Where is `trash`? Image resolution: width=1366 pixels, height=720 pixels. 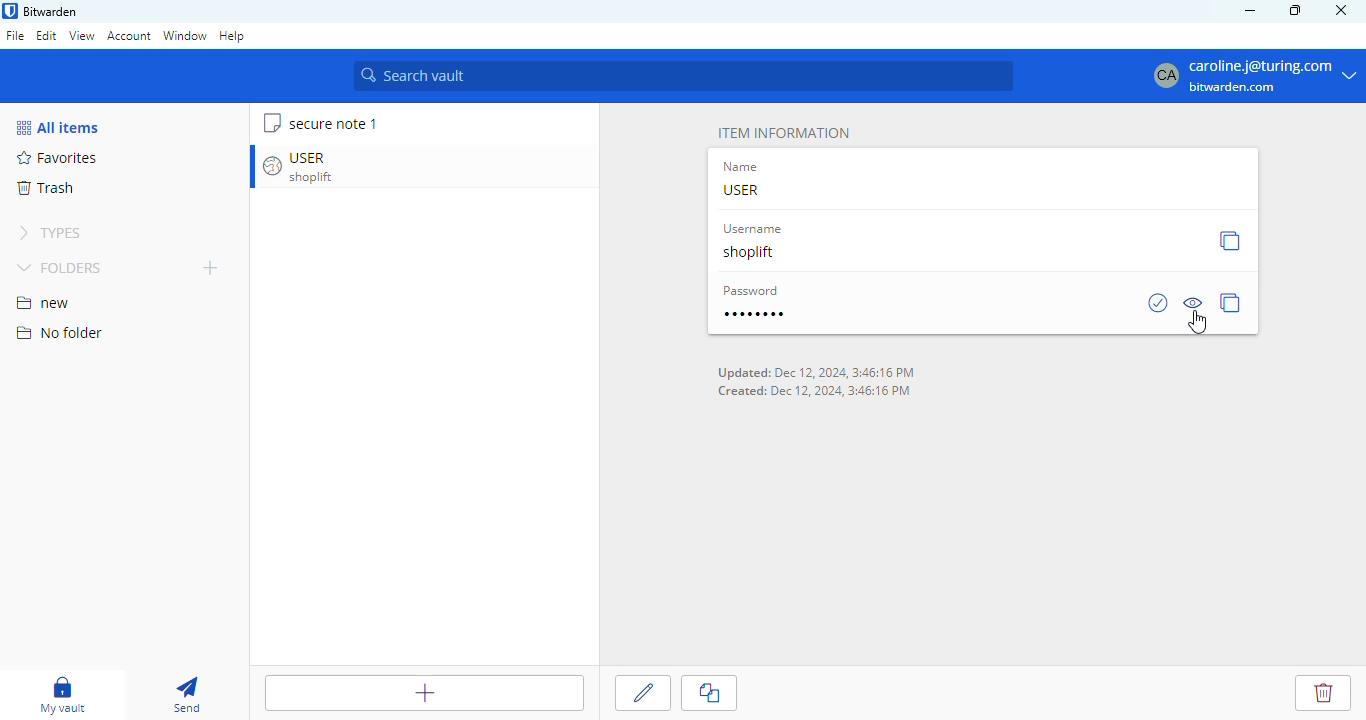 trash is located at coordinates (46, 188).